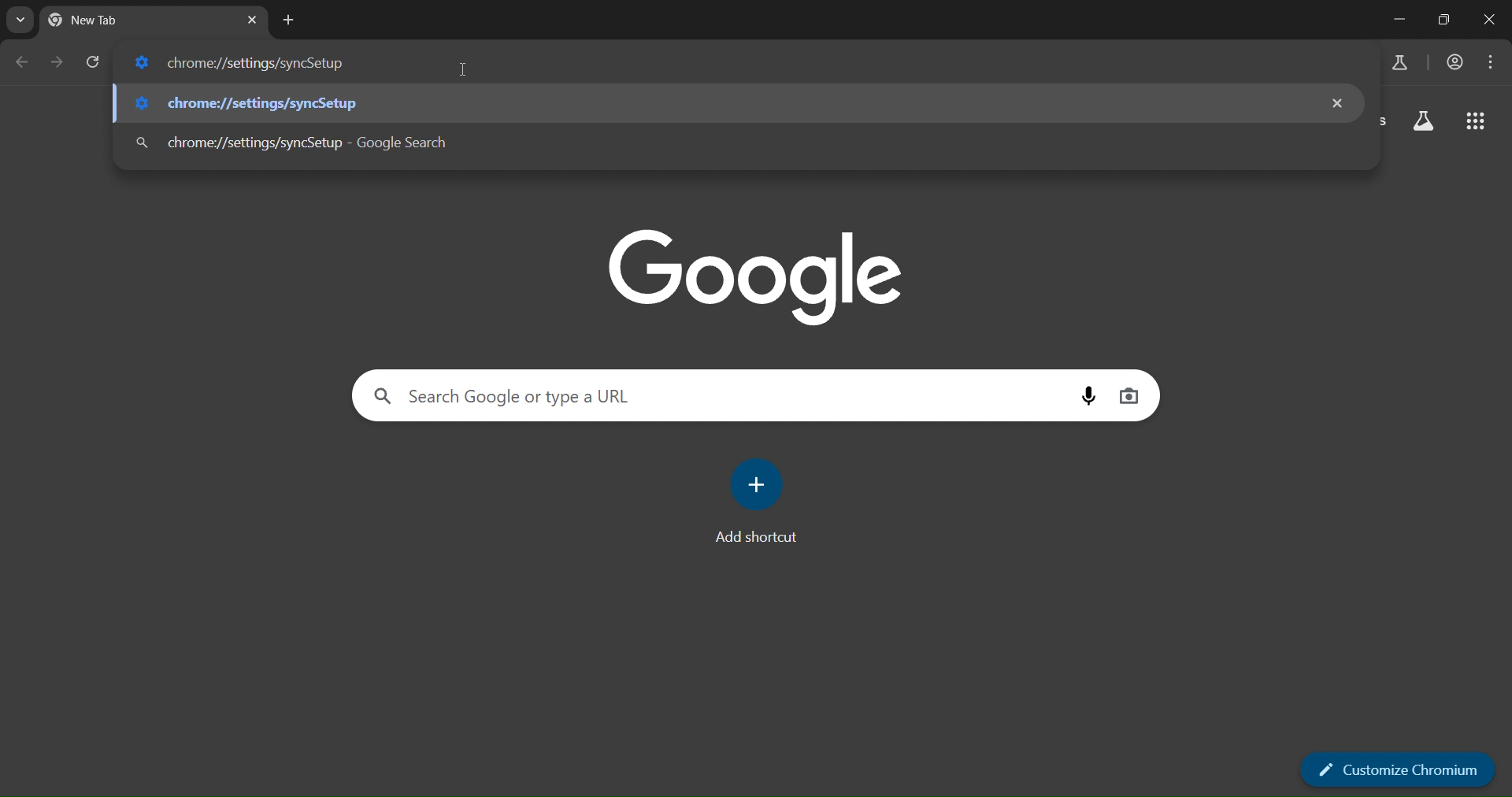  I want to click on go back one page, so click(25, 63).